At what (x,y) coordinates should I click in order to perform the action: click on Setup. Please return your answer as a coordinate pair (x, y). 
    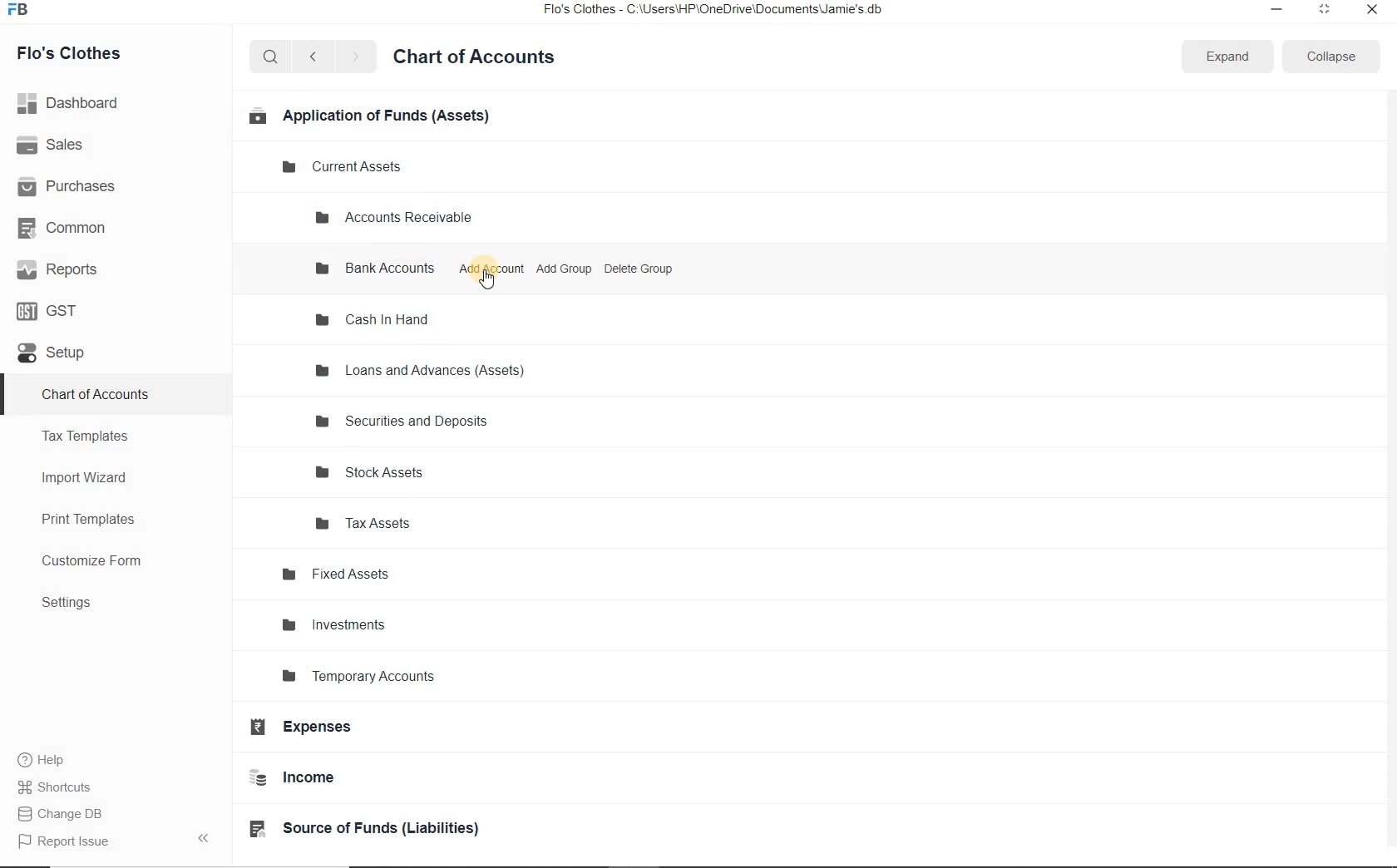
    Looking at the image, I should click on (73, 360).